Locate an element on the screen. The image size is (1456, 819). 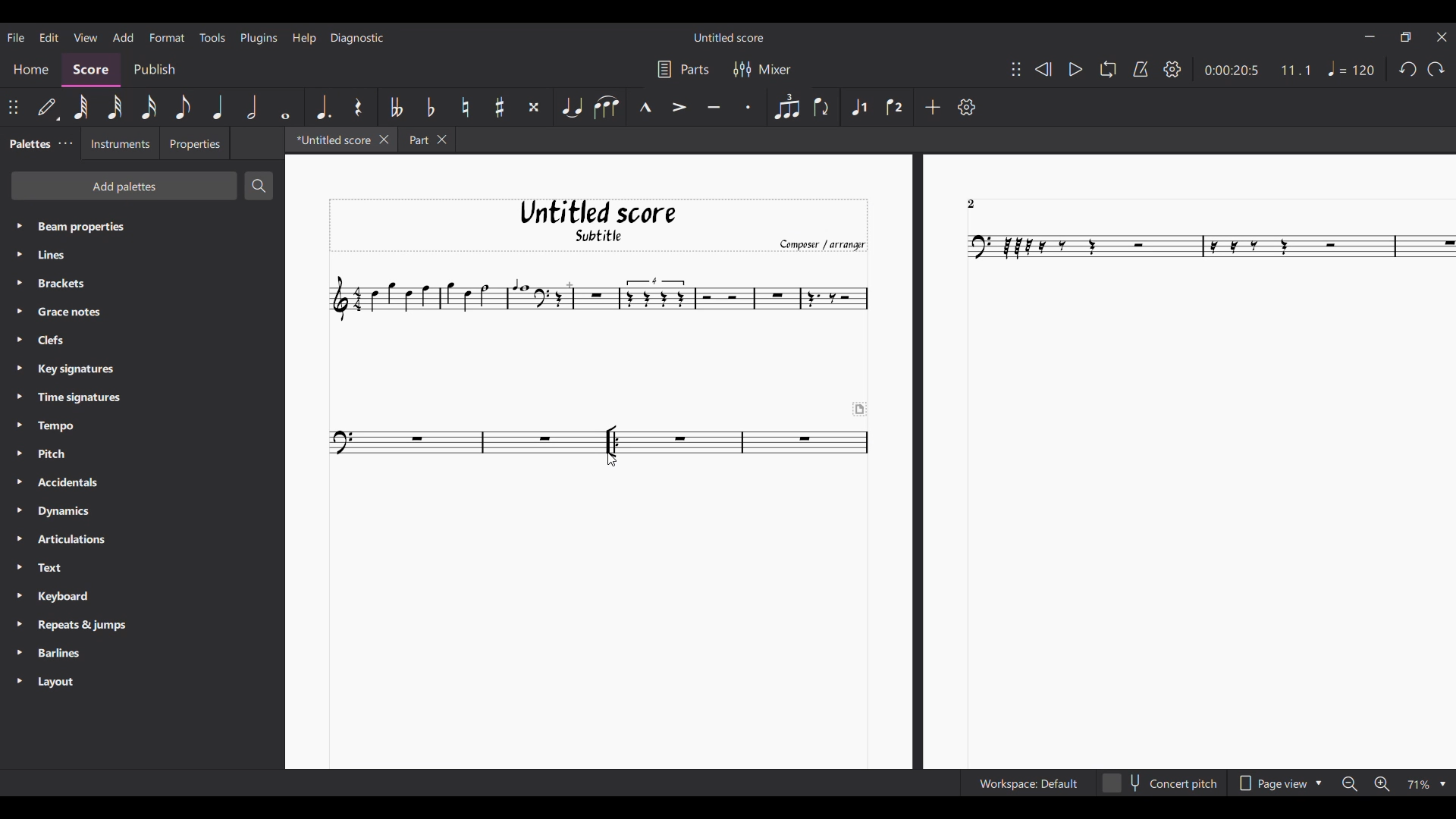
Zoom out is located at coordinates (1350, 784).